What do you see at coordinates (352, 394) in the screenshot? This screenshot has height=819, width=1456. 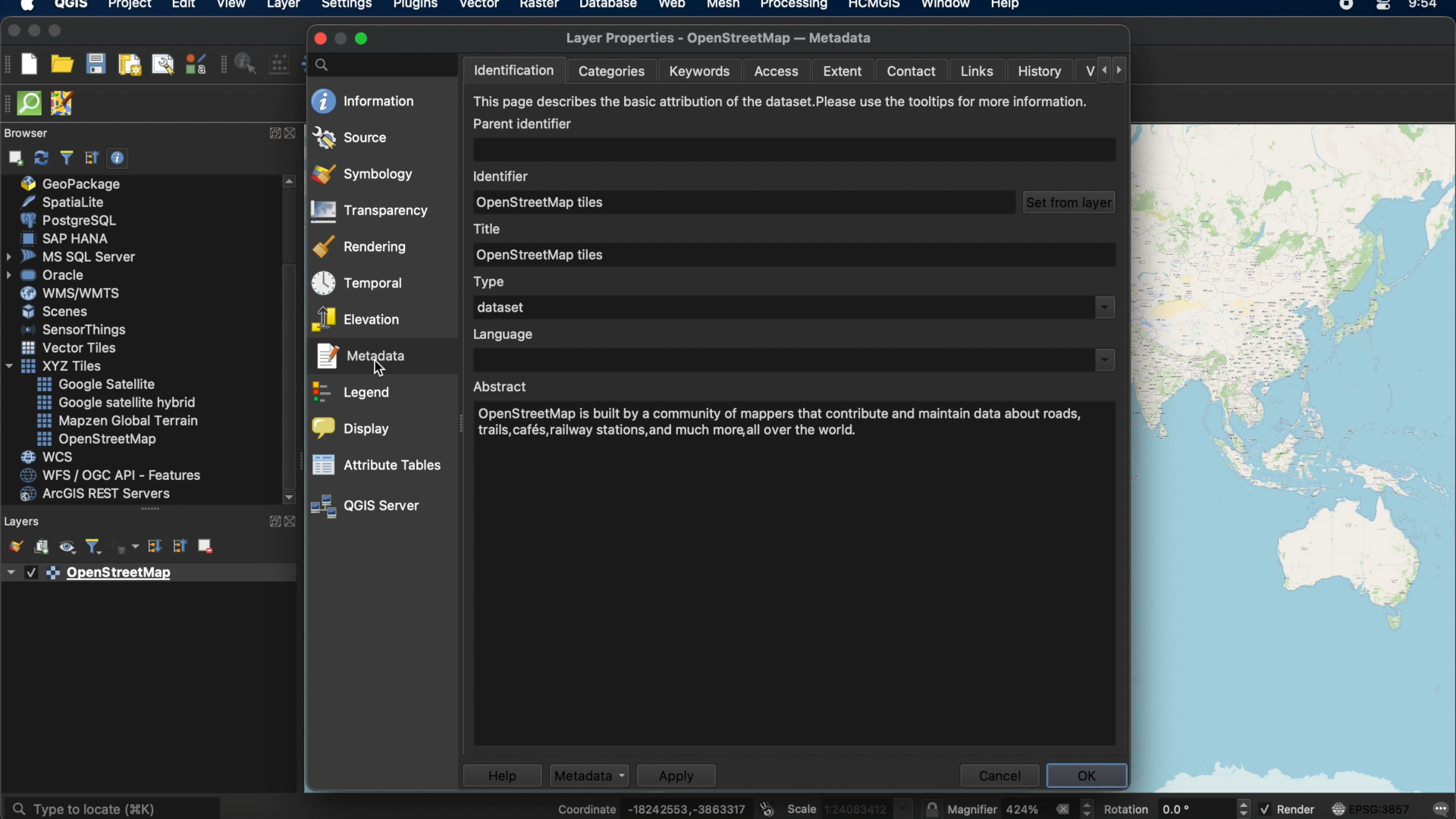 I see `legend` at bounding box center [352, 394].